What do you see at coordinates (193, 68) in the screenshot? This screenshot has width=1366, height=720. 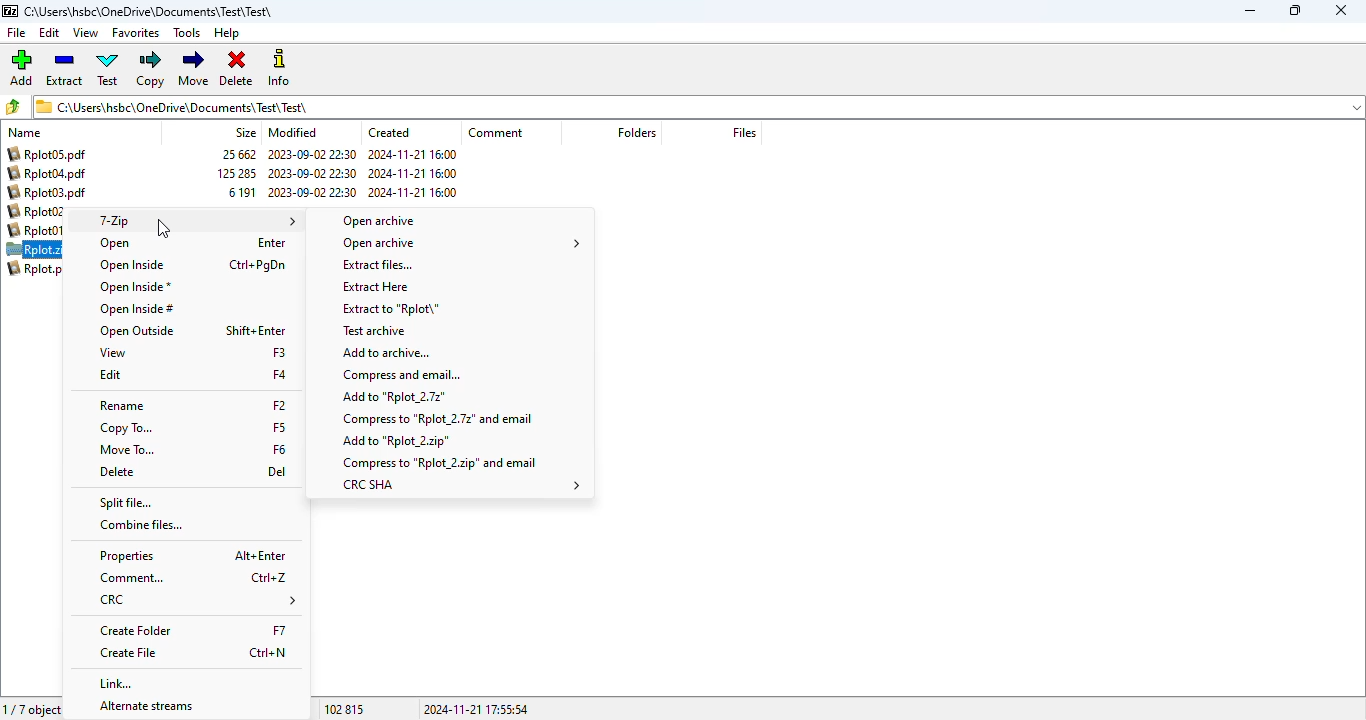 I see `move` at bounding box center [193, 68].